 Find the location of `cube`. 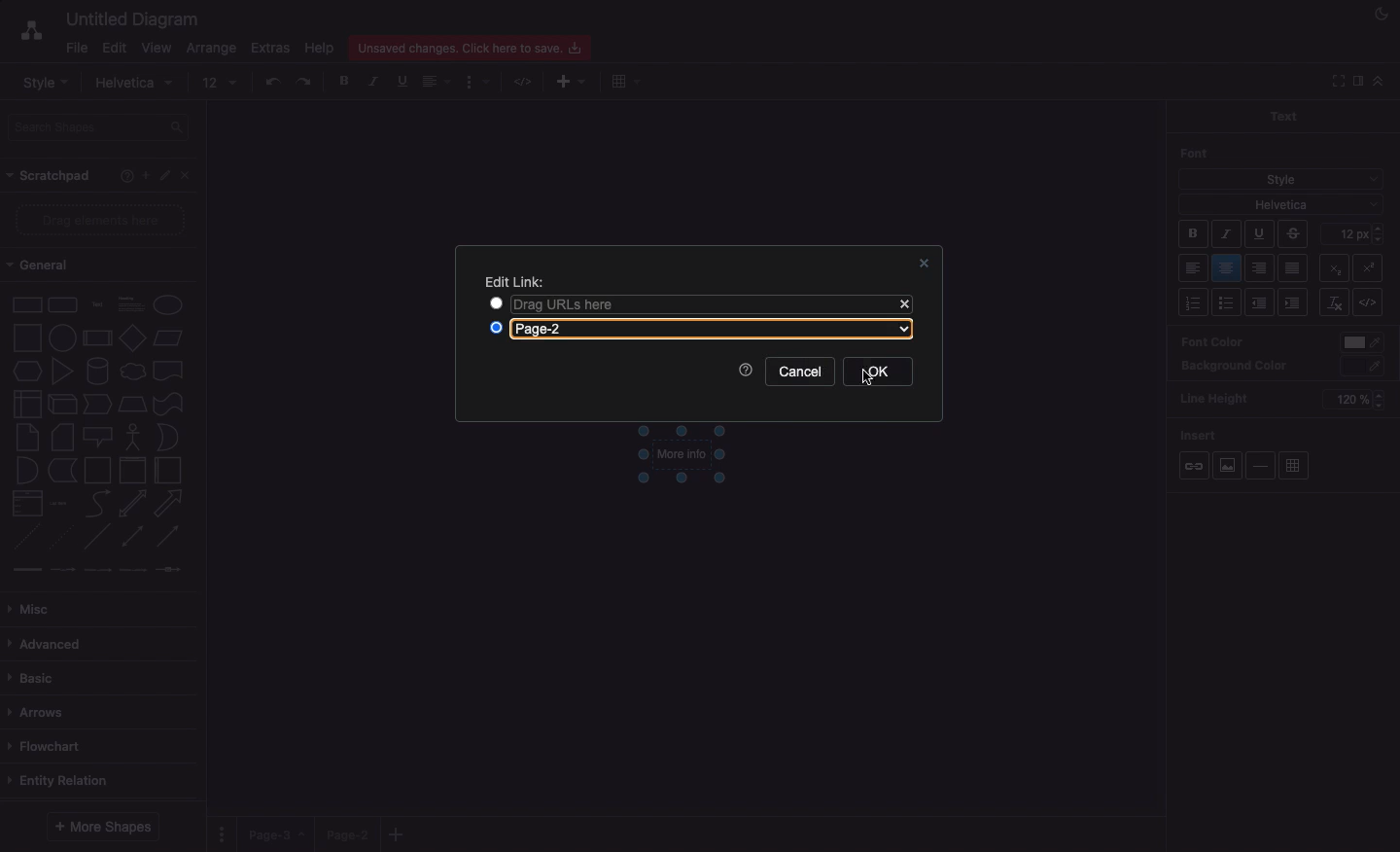

cube is located at coordinates (62, 405).